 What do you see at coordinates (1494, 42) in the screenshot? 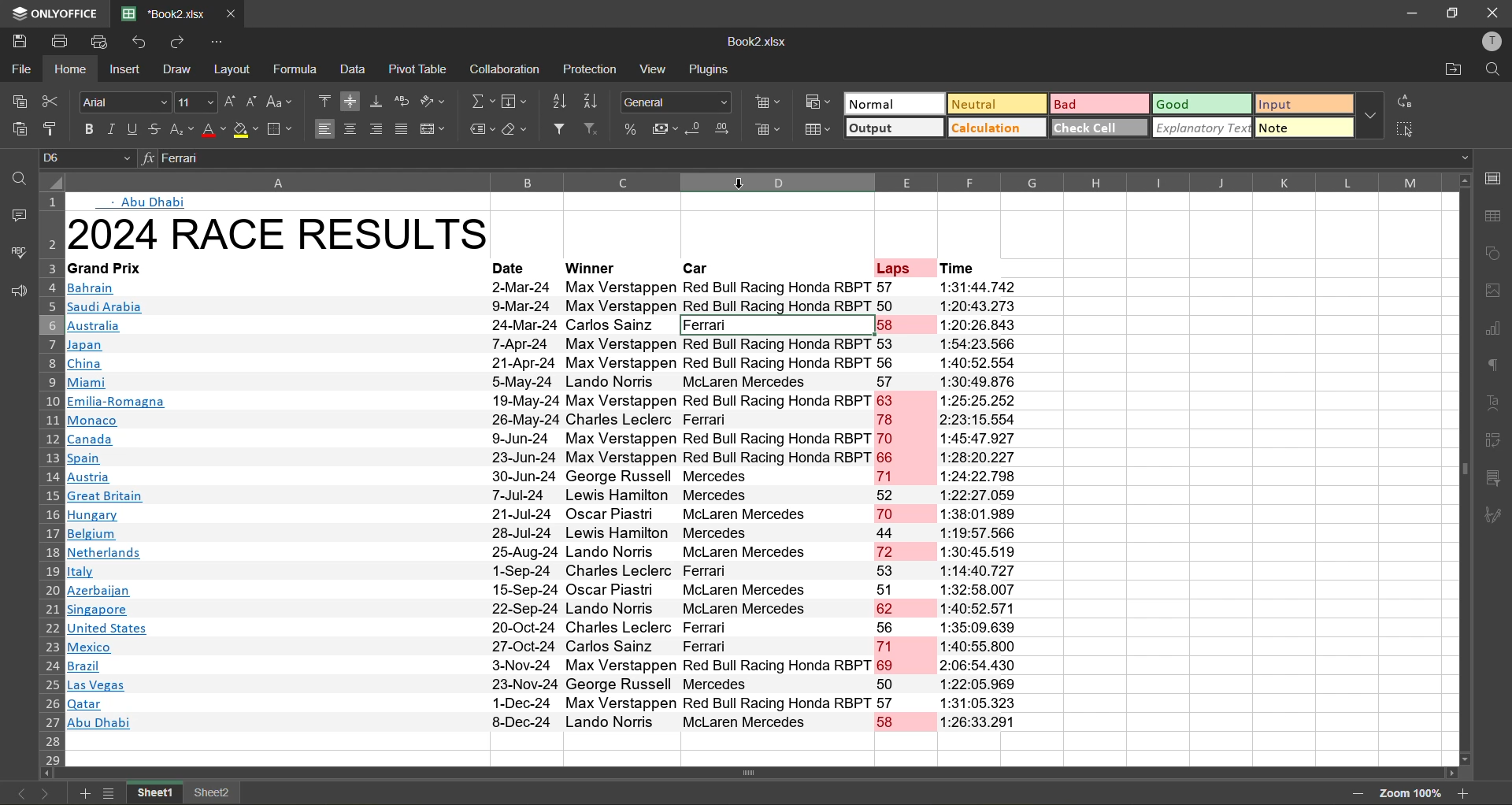
I see `profile` at bounding box center [1494, 42].